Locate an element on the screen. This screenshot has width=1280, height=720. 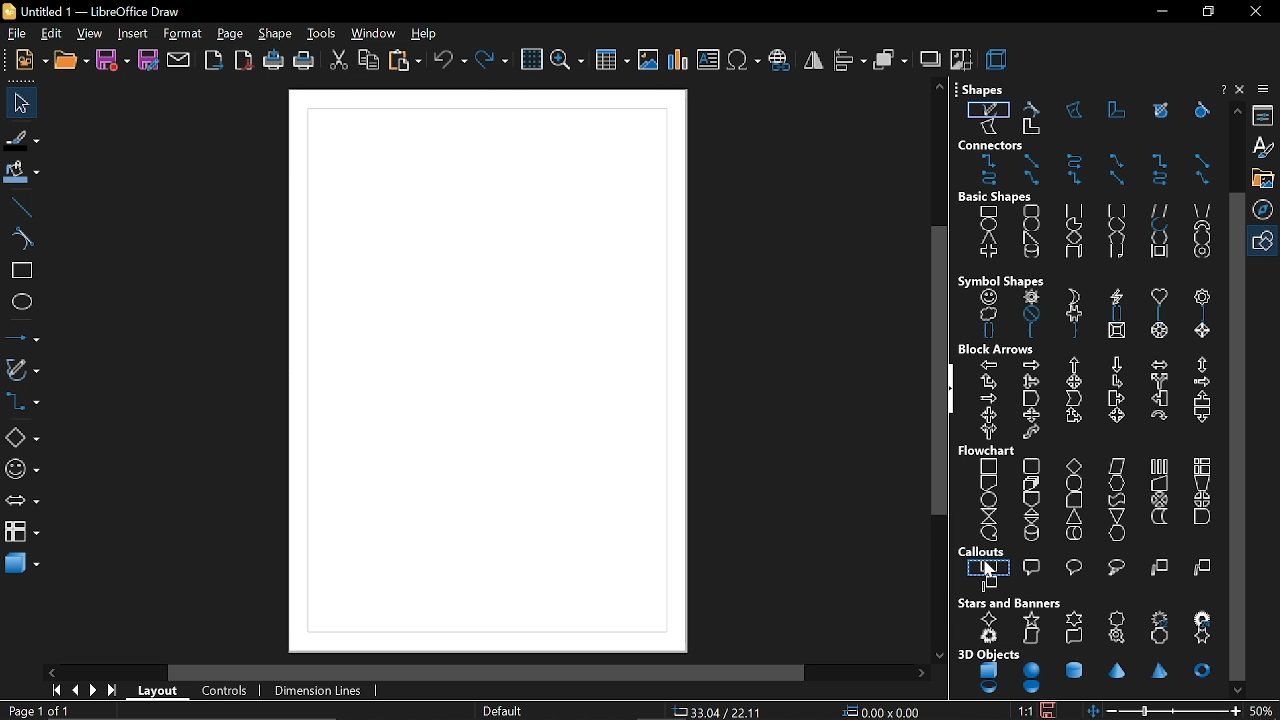
vertical scroll bar is located at coordinates (939, 372).